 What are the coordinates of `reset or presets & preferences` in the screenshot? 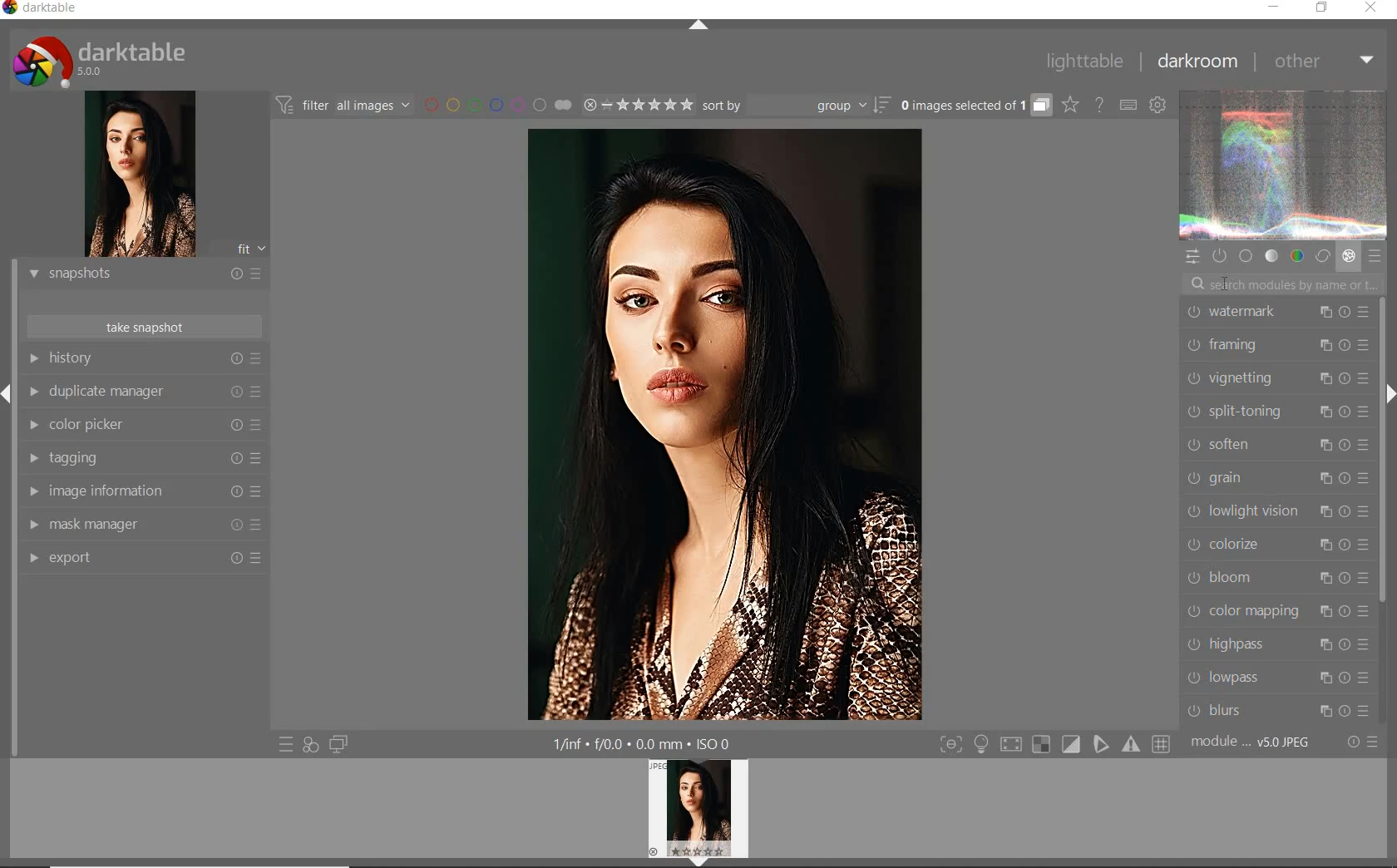 It's located at (1363, 745).